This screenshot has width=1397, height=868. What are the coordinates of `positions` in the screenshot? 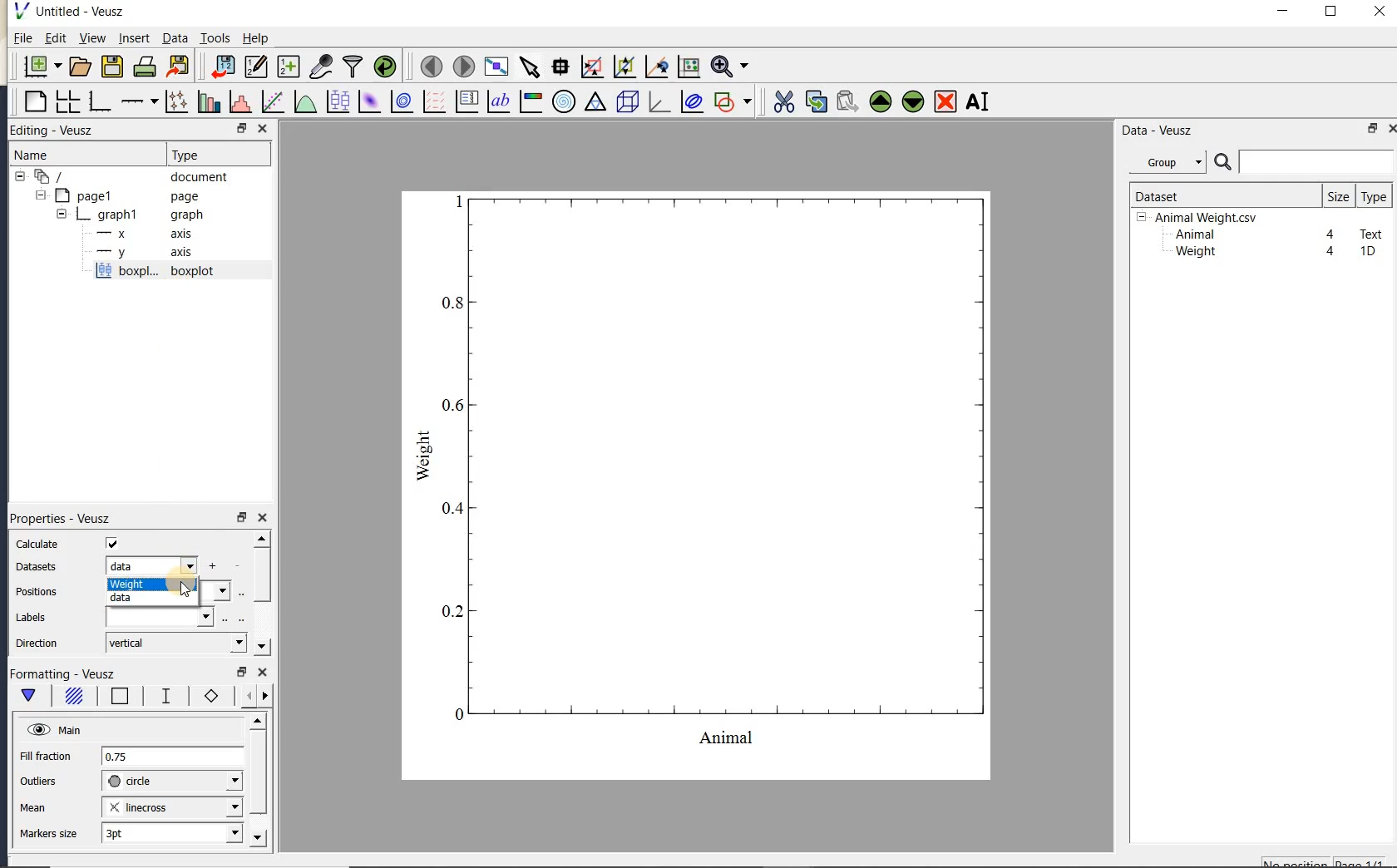 It's located at (36, 594).